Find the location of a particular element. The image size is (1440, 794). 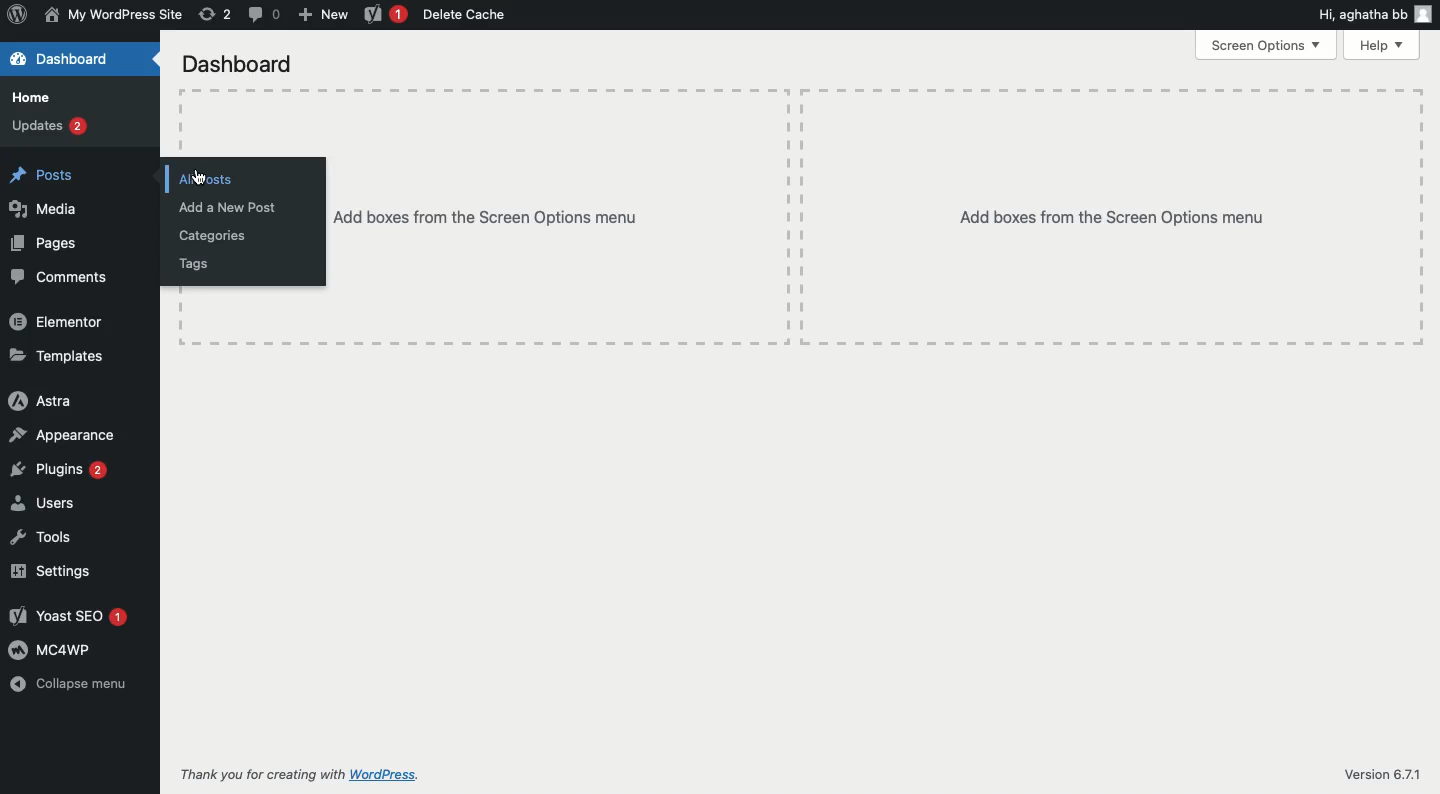

Posts is located at coordinates (44, 175).